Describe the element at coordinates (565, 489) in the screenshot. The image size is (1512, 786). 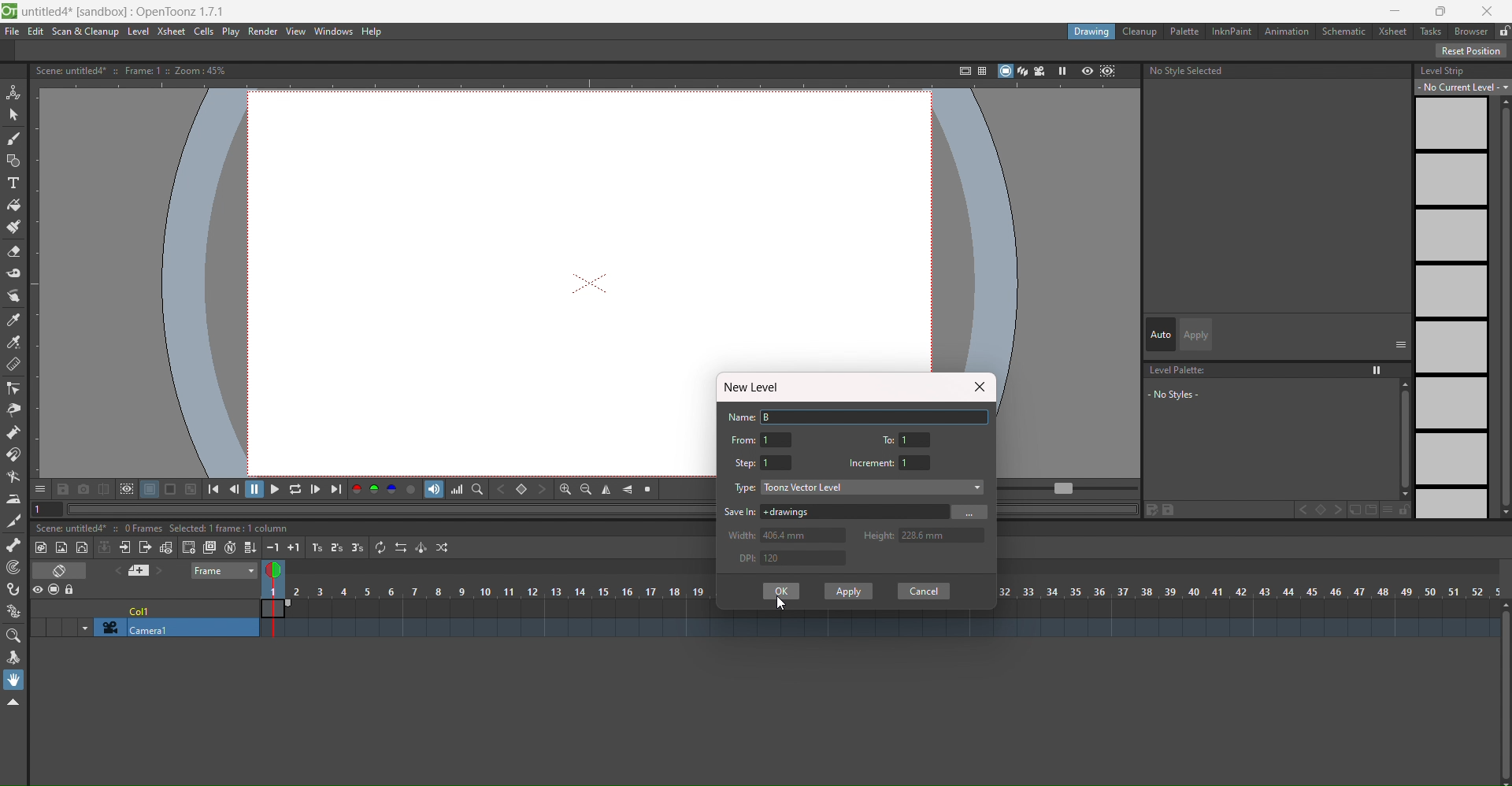
I see `zoom in` at that location.